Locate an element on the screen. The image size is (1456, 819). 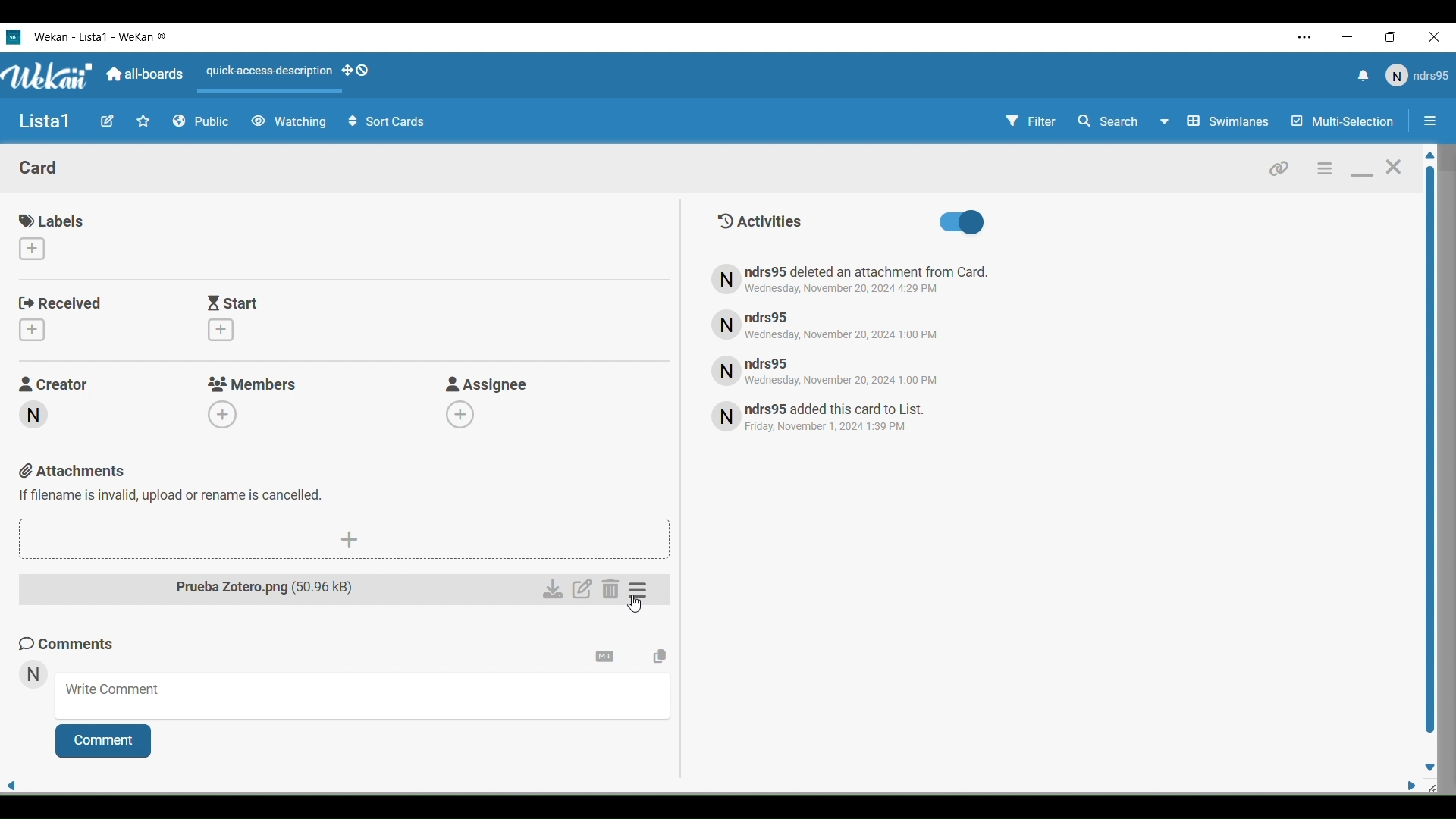
Asignee is located at coordinates (488, 384).